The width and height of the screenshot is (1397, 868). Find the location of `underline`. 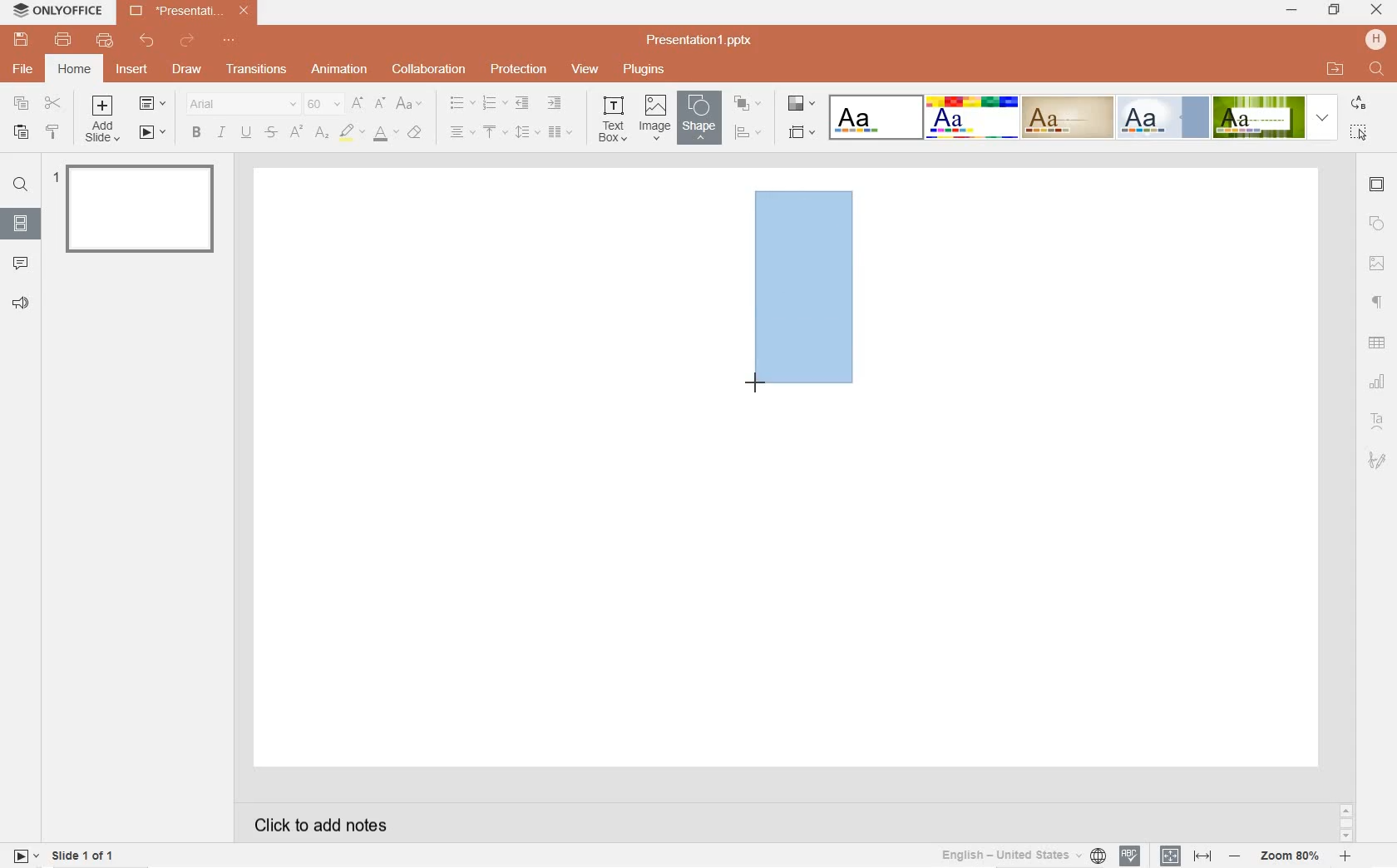

underline is located at coordinates (245, 131).